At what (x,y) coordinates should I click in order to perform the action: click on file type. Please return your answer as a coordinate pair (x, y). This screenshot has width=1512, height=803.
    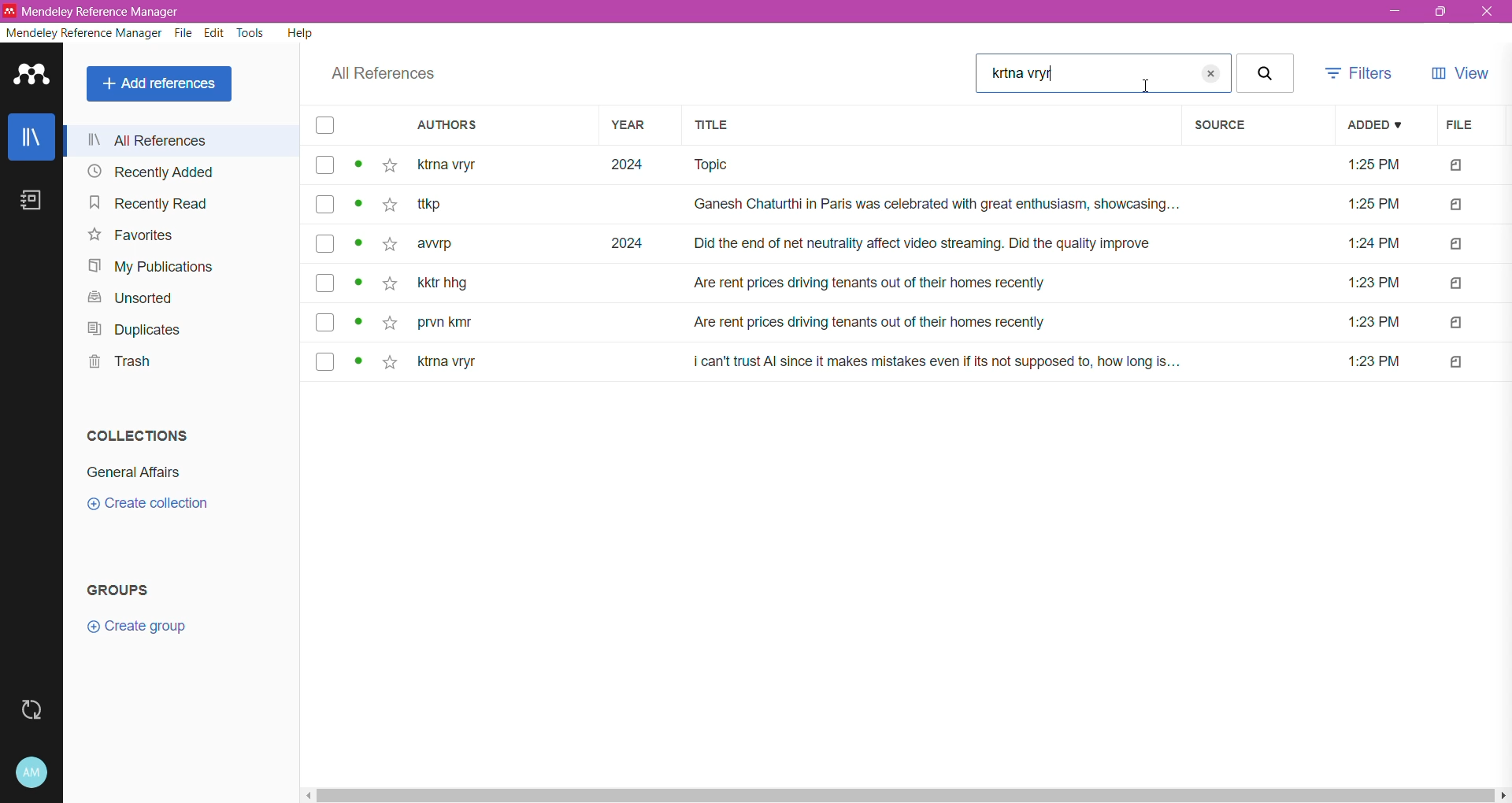
    Looking at the image, I should click on (1457, 324).